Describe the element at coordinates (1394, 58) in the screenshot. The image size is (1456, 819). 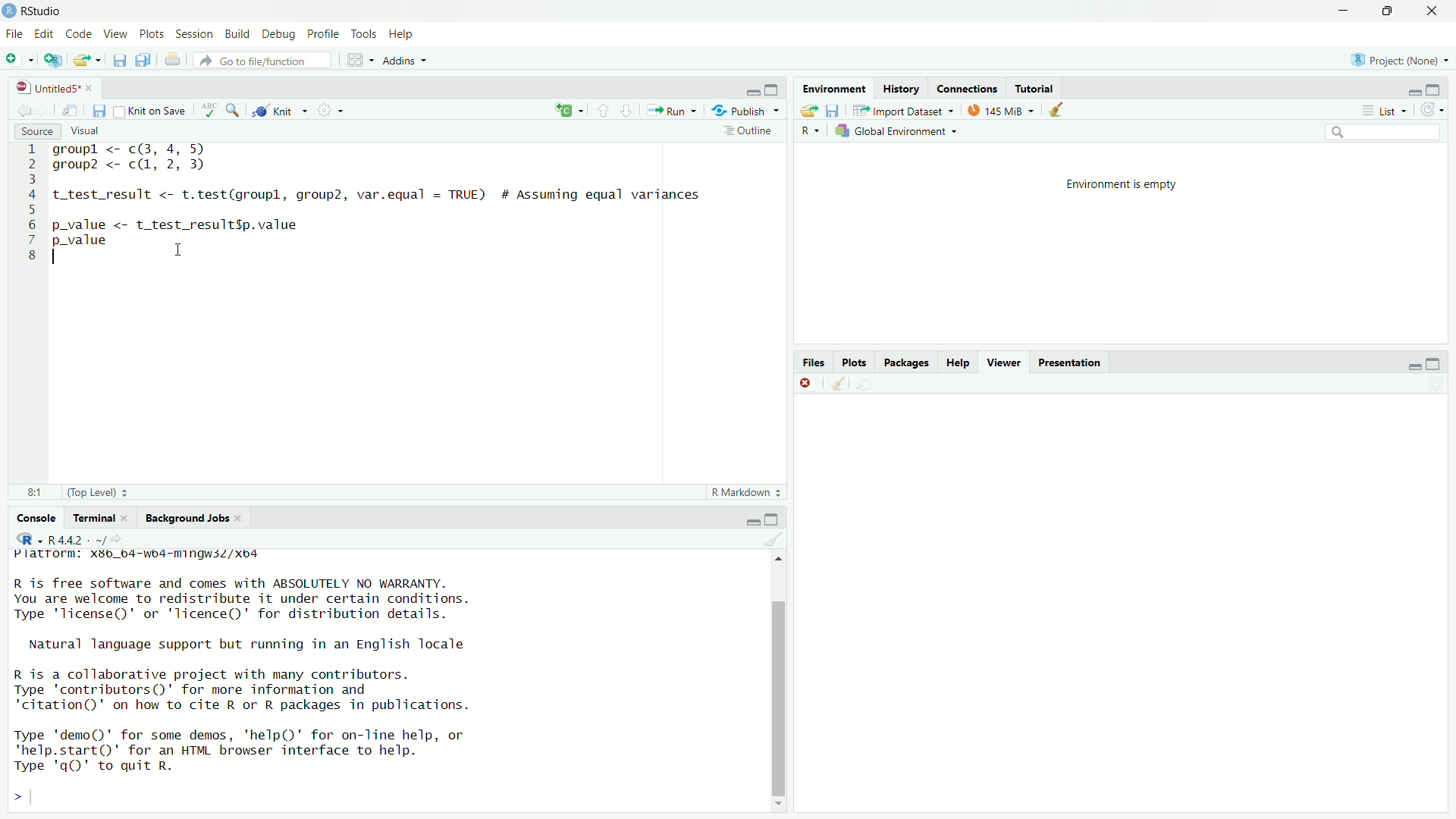
I see `RB) Project: (None) ` at that location.